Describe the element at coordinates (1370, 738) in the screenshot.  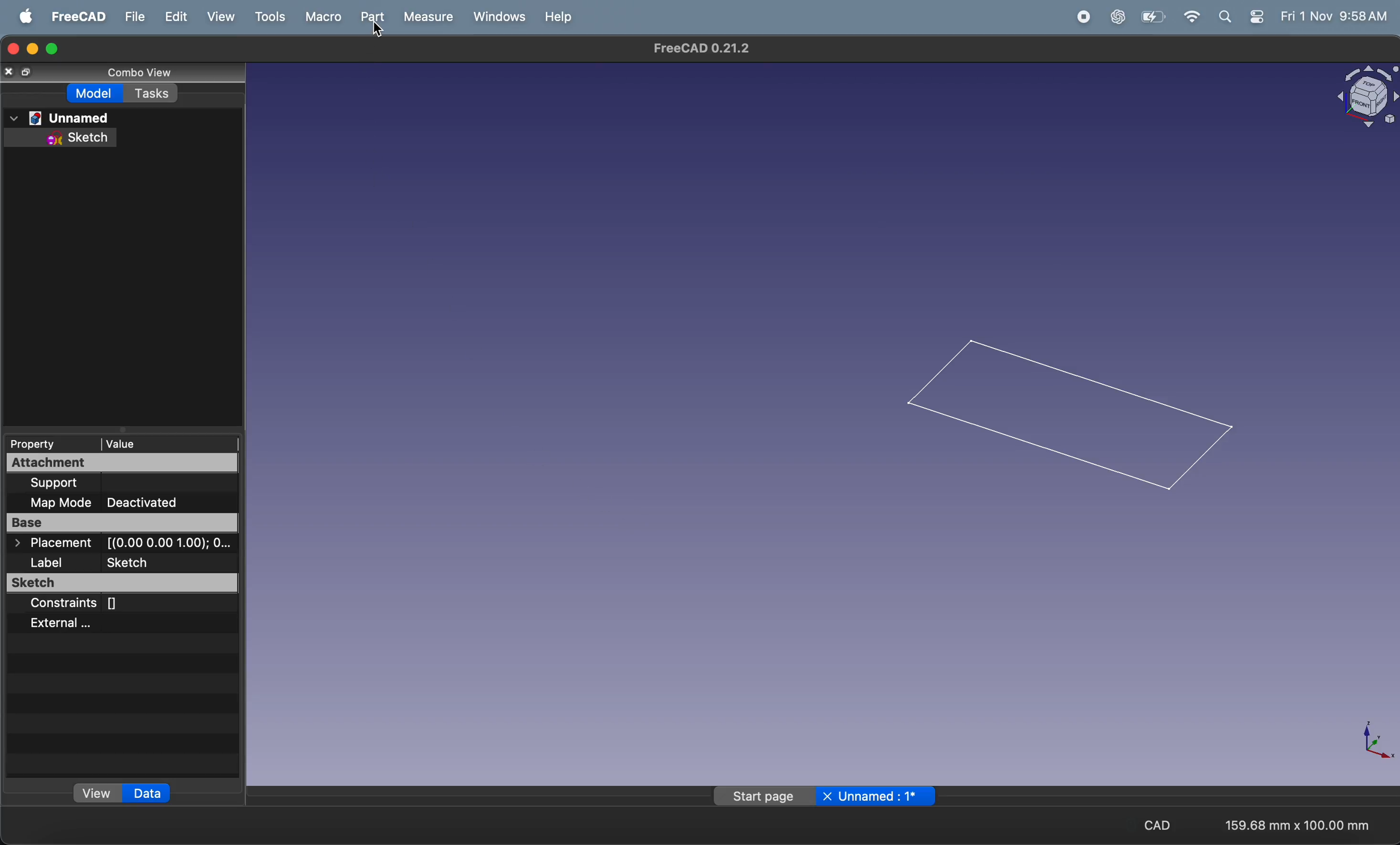
I see `axis` at that location.